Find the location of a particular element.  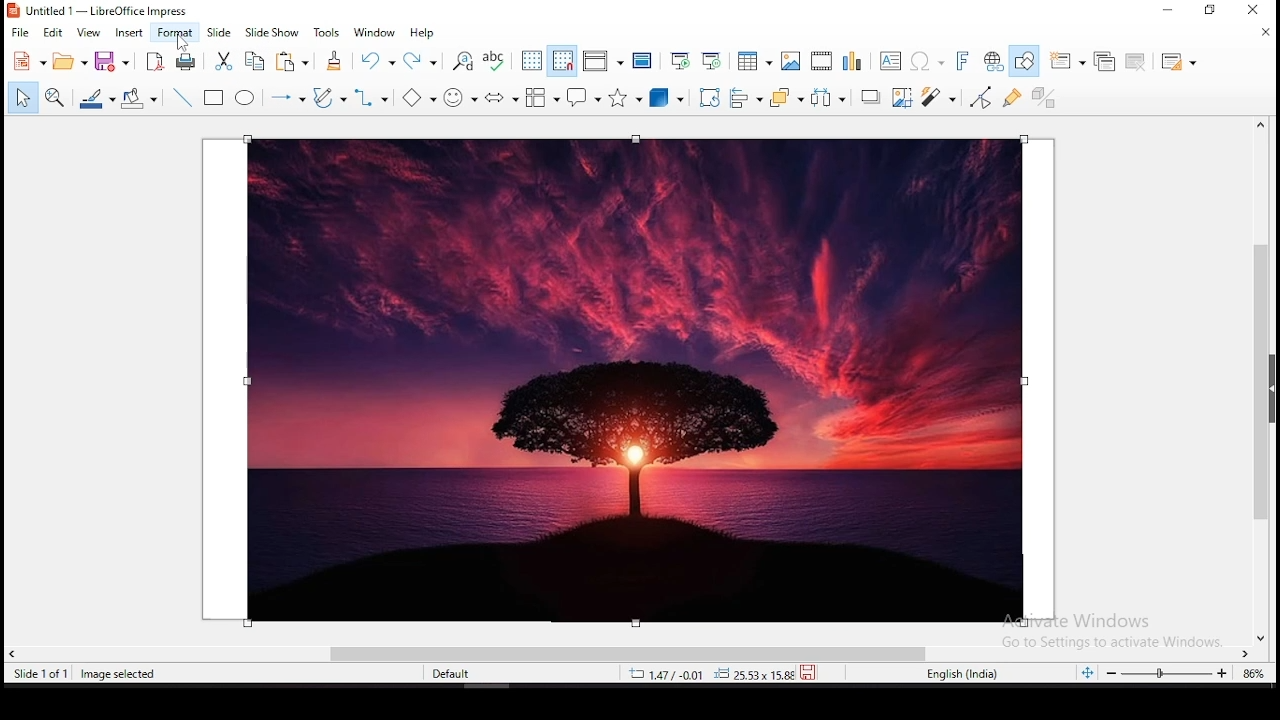

stars and banners is located at coordinates (627, 98).